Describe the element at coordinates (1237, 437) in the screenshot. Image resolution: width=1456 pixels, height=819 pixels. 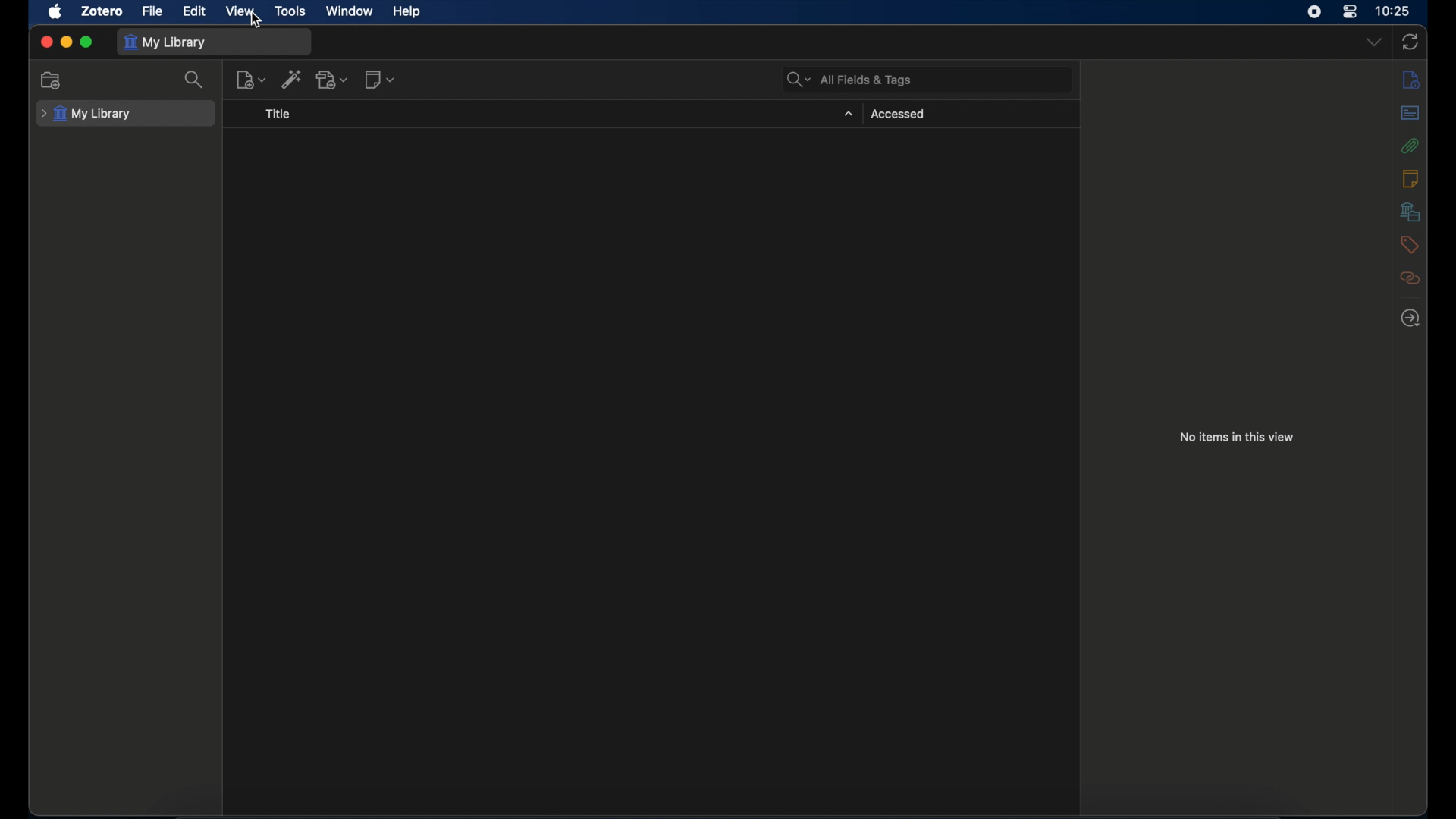
I see `no items in this view` at that location.